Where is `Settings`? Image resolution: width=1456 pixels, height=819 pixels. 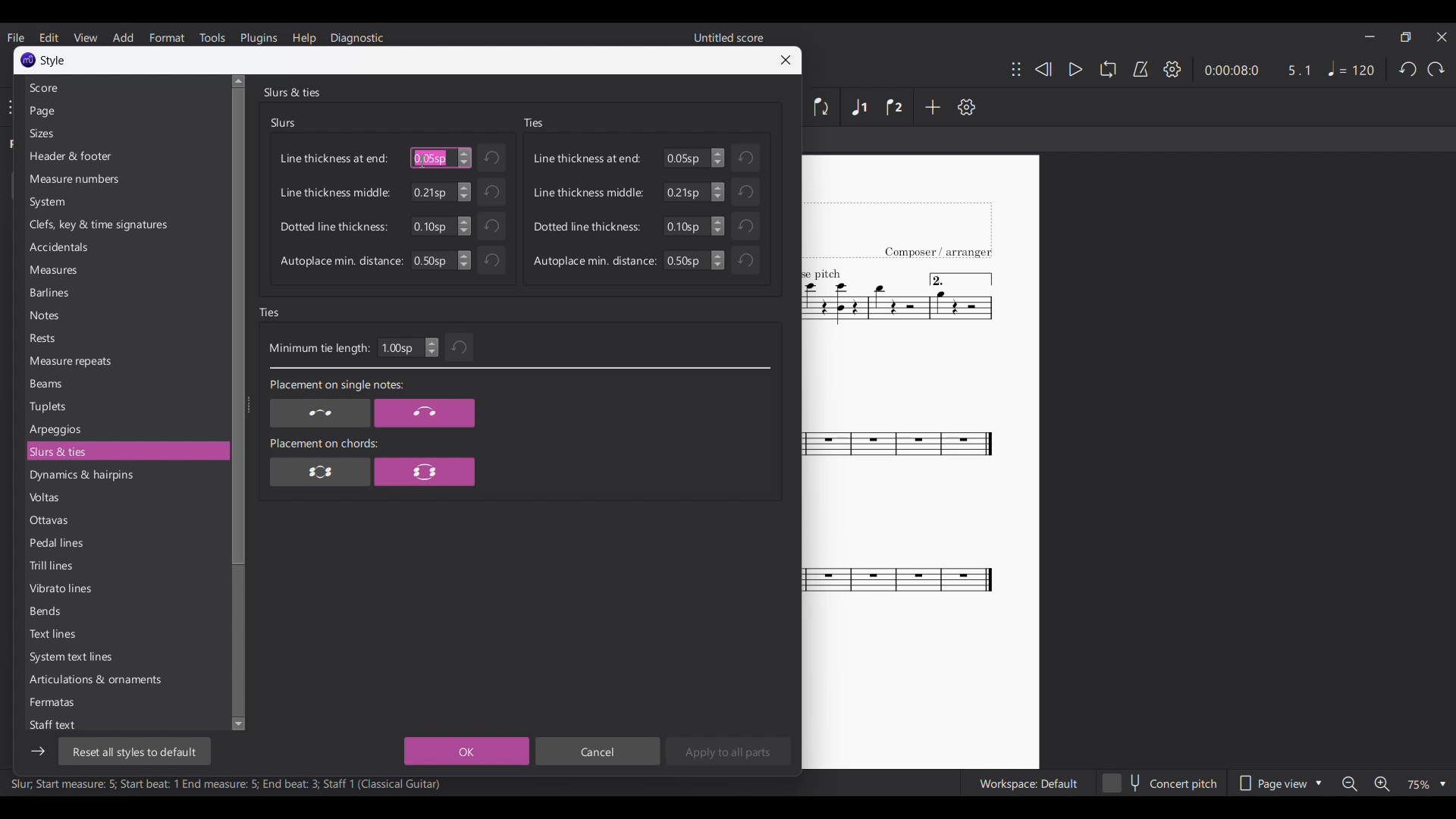 Settings is located at coordinates (967, 107).